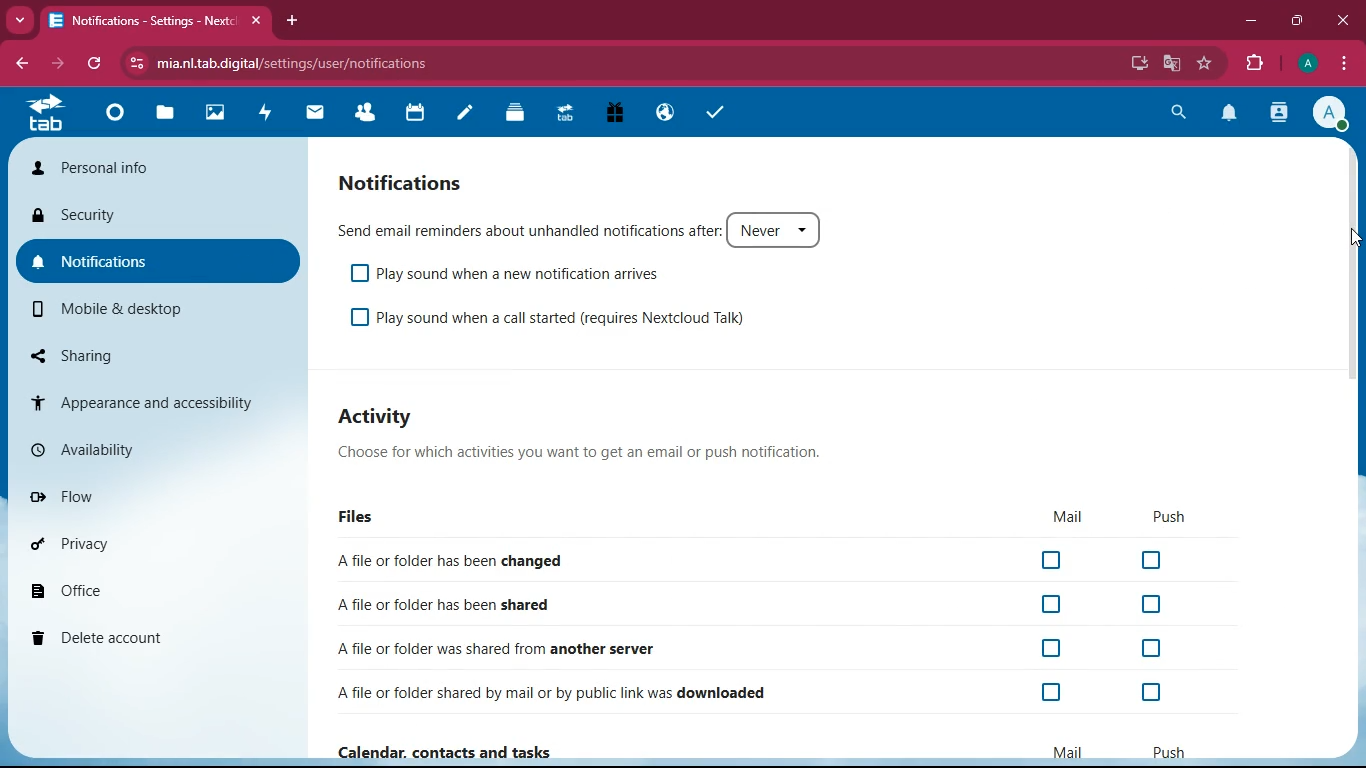 This screenshot has width=1366, height=768. I want to click on add tab, so click(295, 22).